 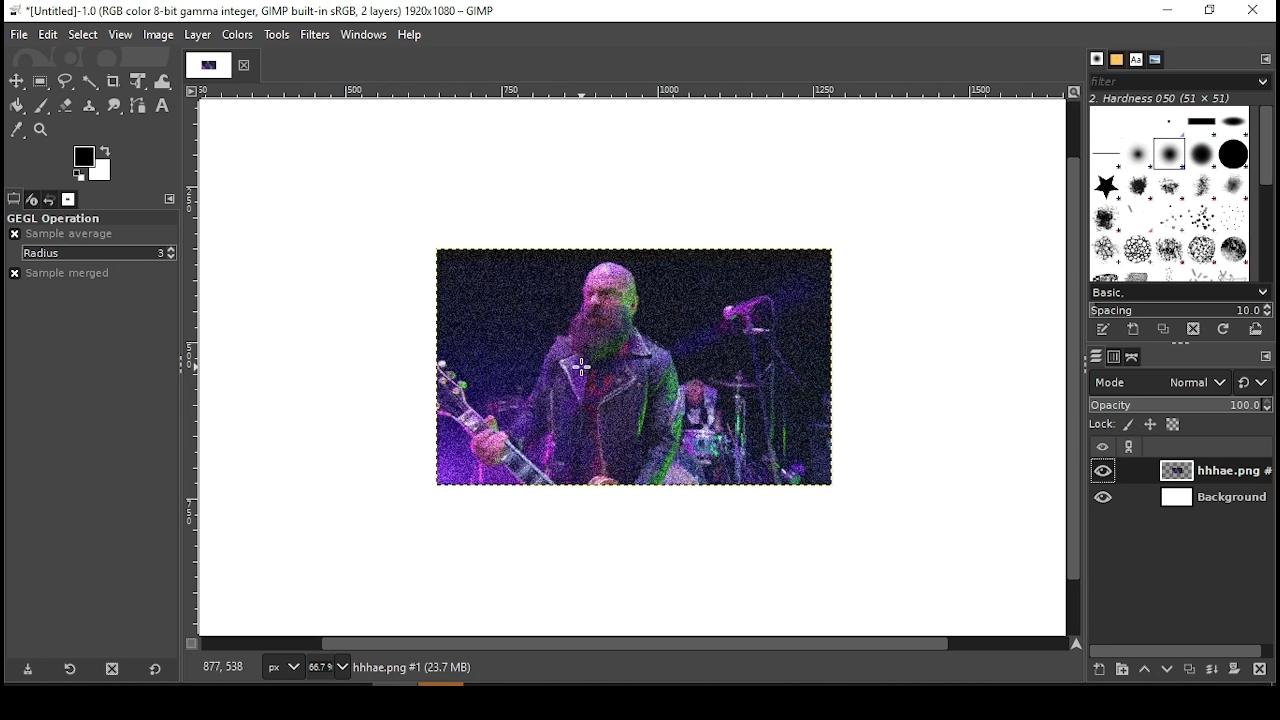 What do you see at coordinates (49, 34) in the screenshot?
I see `edit` at bounding box center [49, 34].